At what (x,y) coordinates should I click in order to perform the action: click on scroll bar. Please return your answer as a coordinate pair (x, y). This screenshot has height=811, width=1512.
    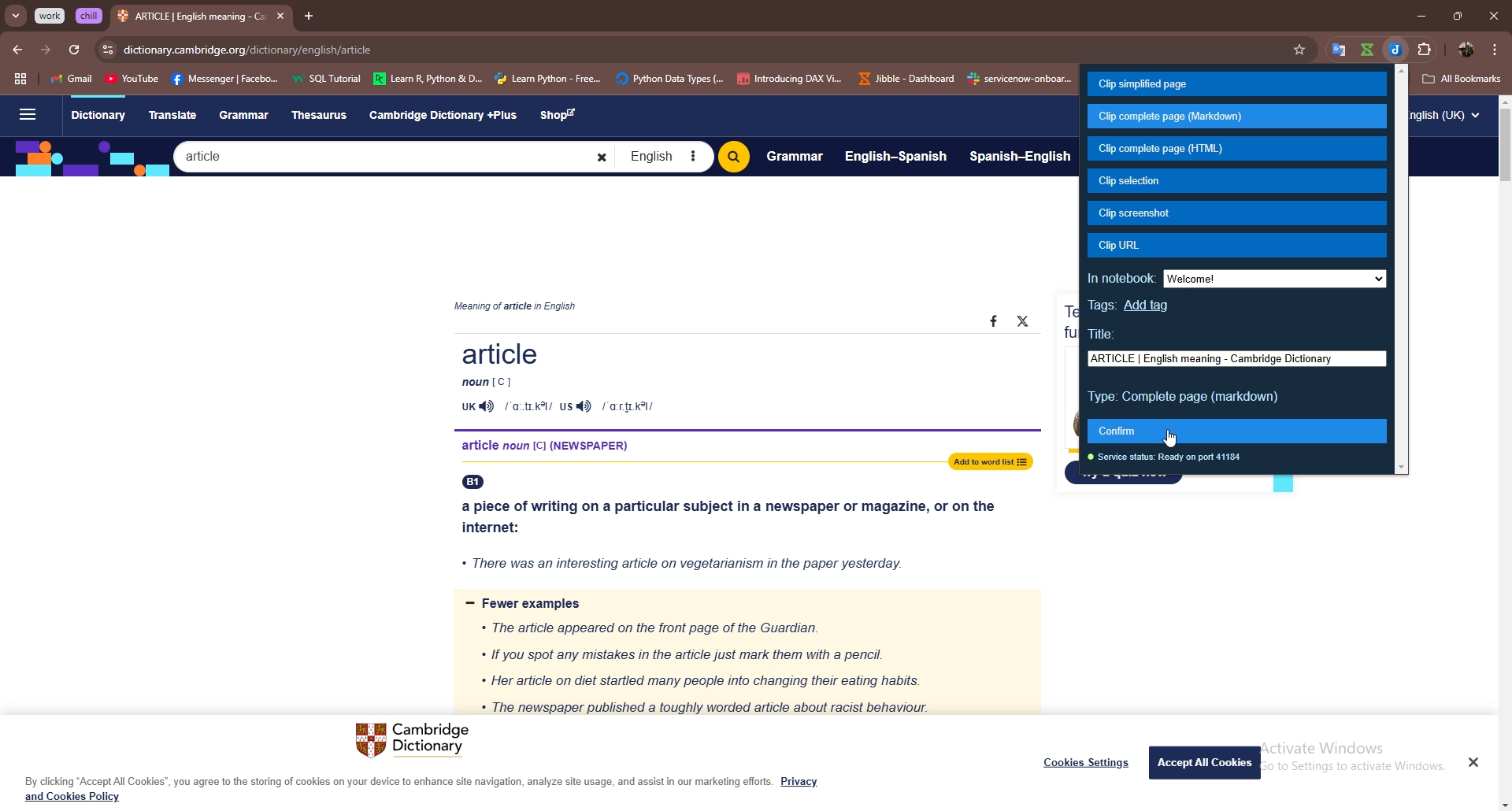
    Looking at the image, I should click on (1401, 270).